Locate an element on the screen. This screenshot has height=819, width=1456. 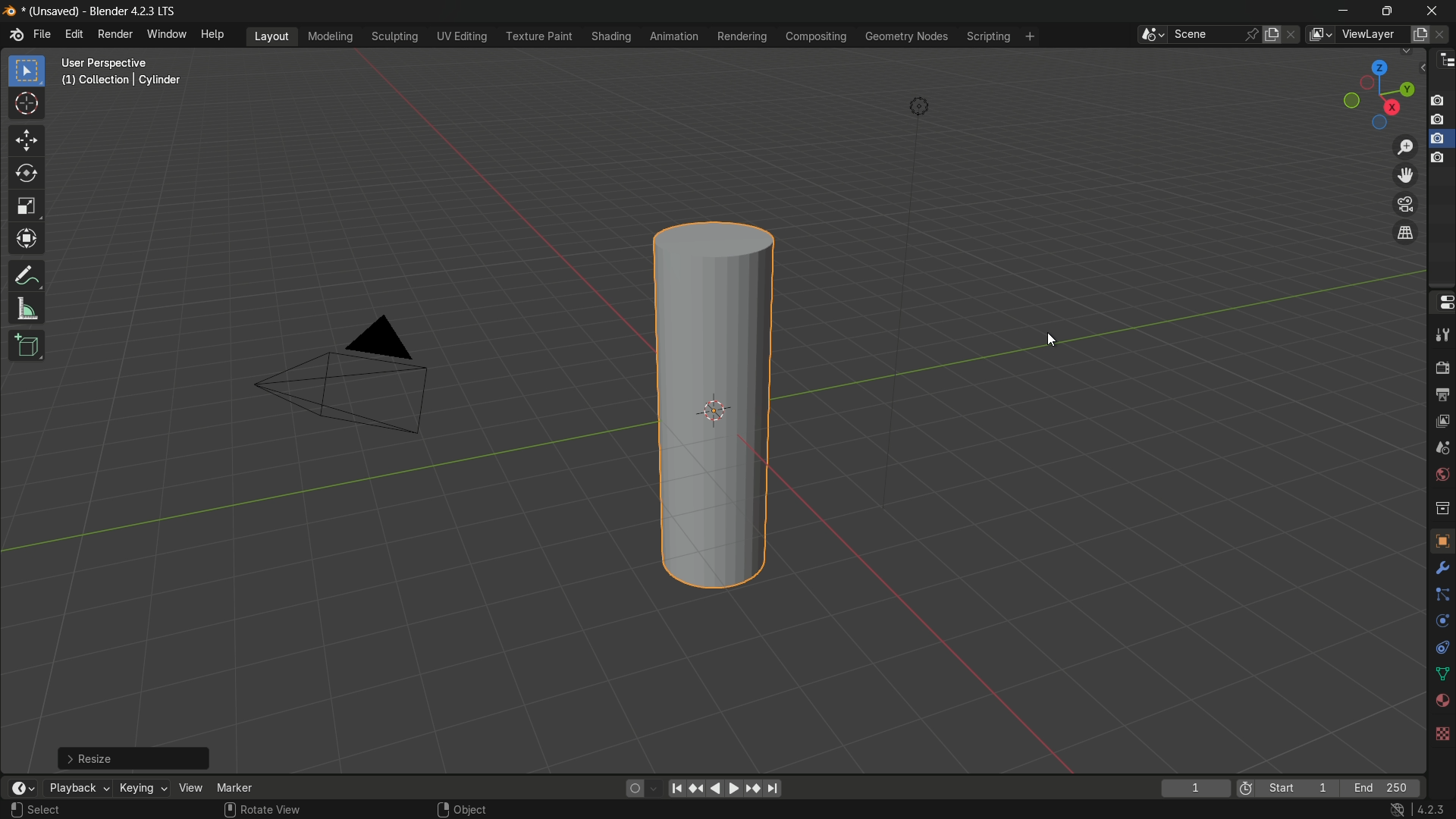
scenes is located at coordinates (1442, 448).